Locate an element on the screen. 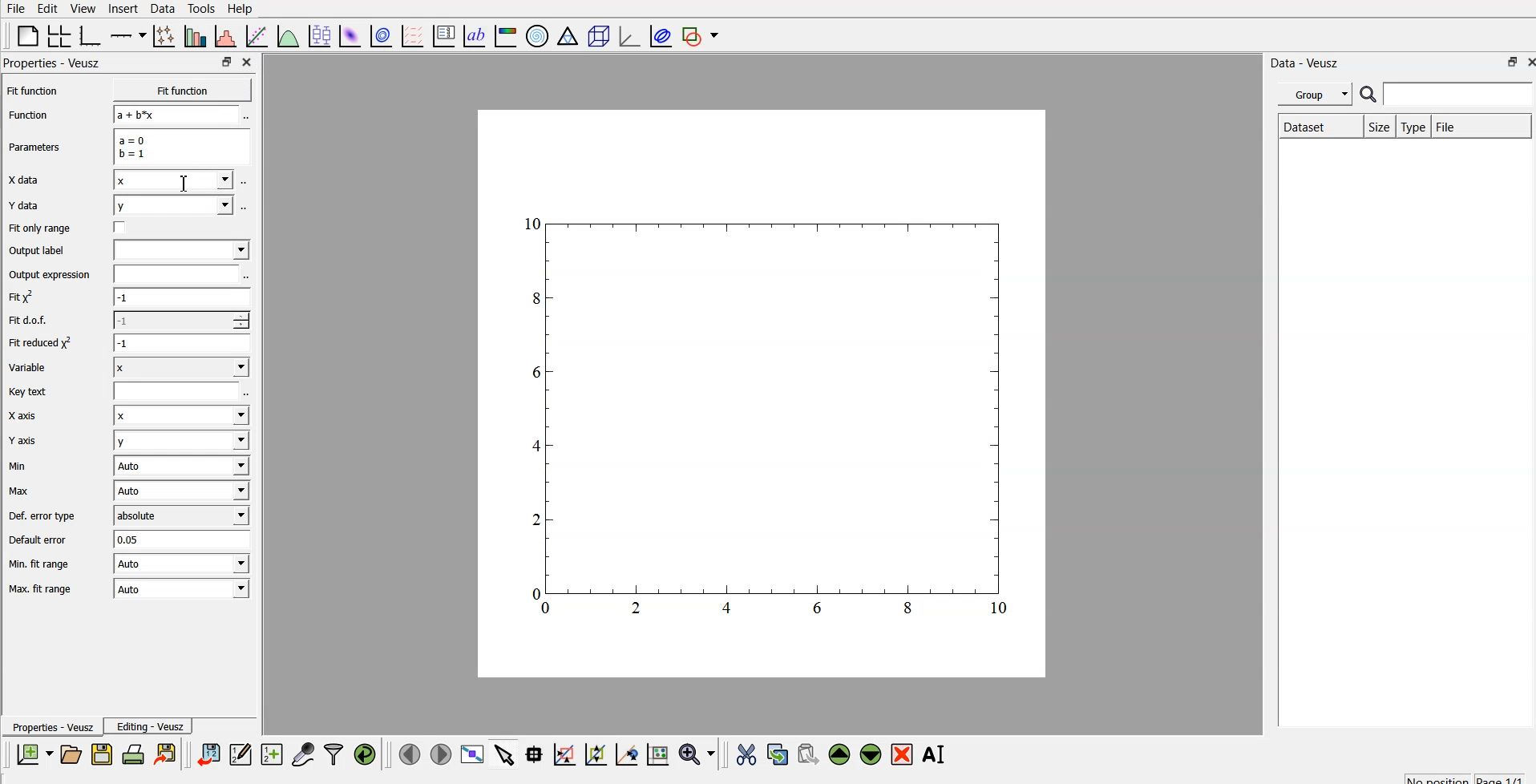 The image size is (1536, 784). Fit only range is located at coordinates (49, 228).